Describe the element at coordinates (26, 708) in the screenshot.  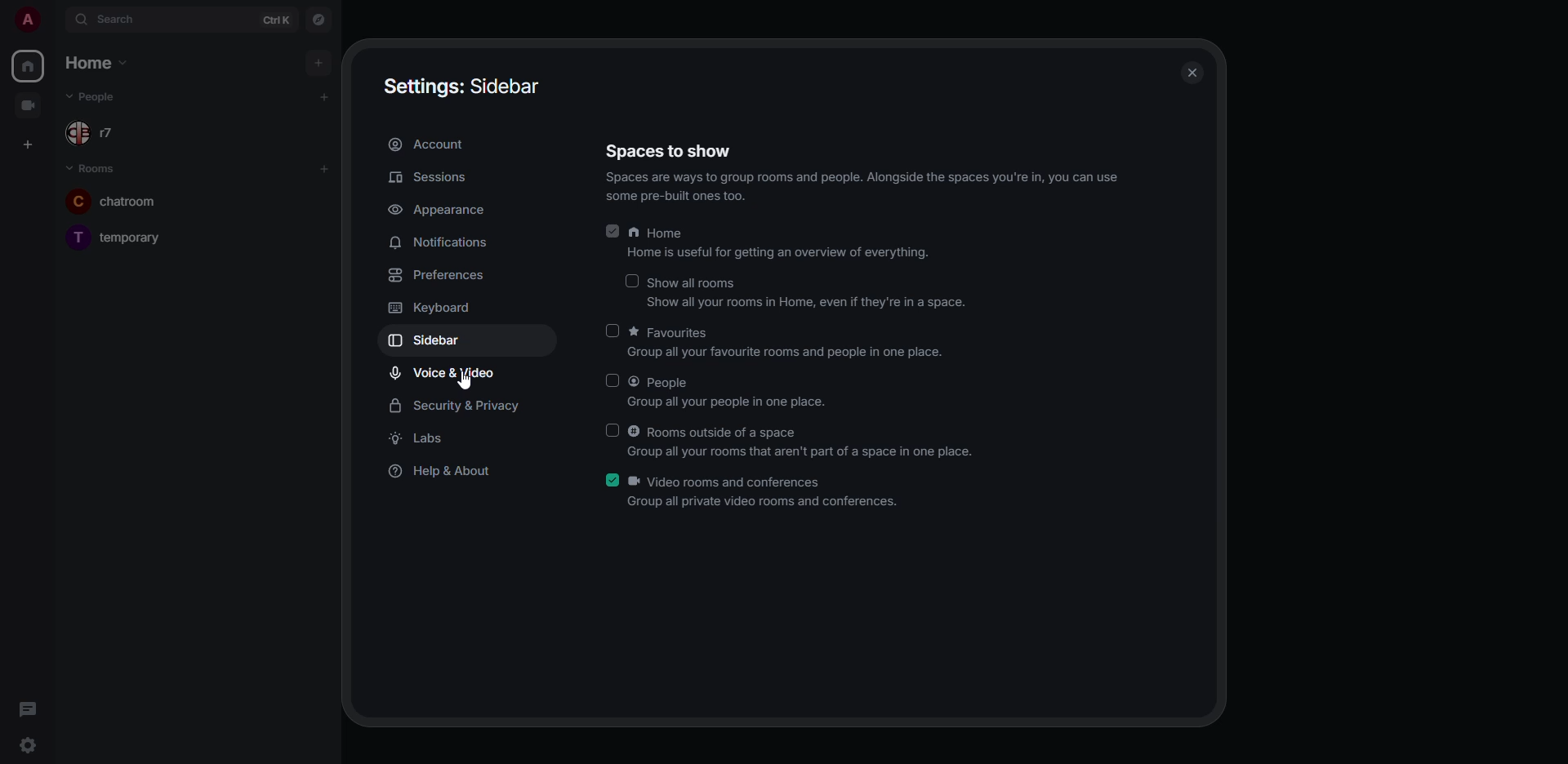
I see `threads` at that location.